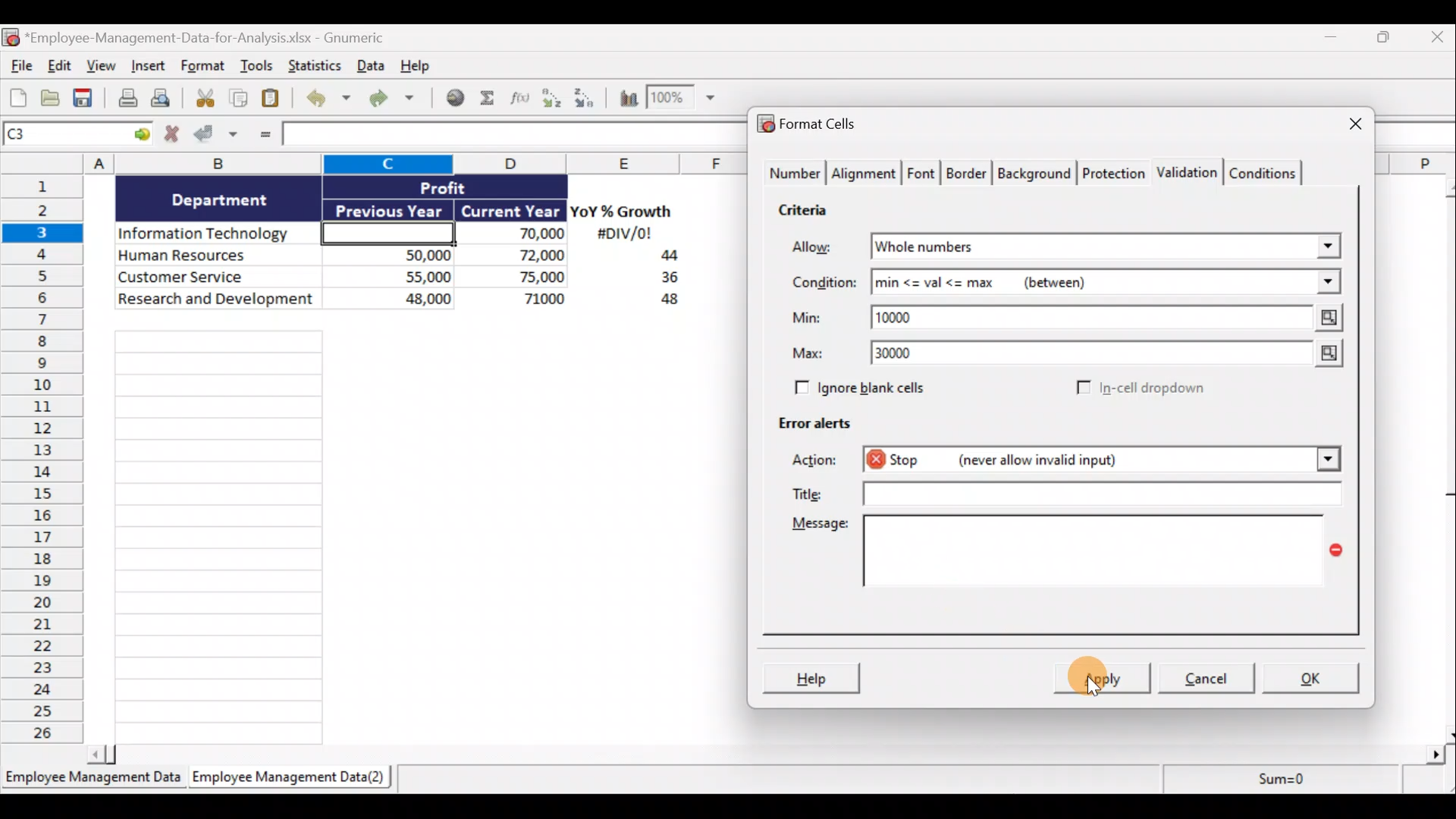 The image size is (1456, 819). What do you see at coordinates (1325, 318) in the screenshot?
I see `Min value` at bounding box center [1325, 318].